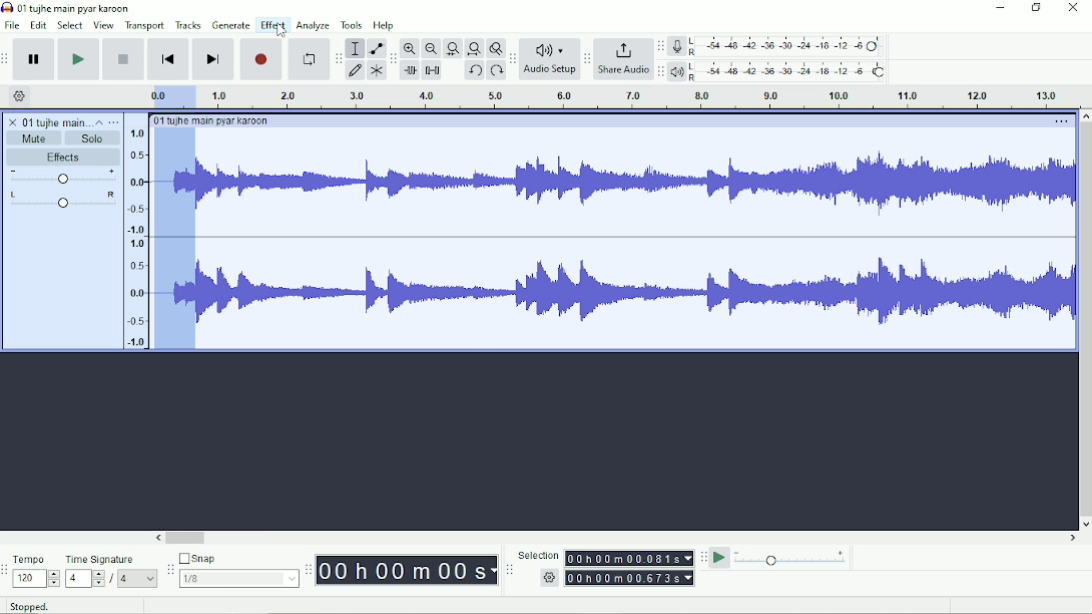 The height and width of the screenshot is (614, 1092). What do you see at coordinates (137, 578) in the screenshot?
I see `4` at bounding box center [137, 578].